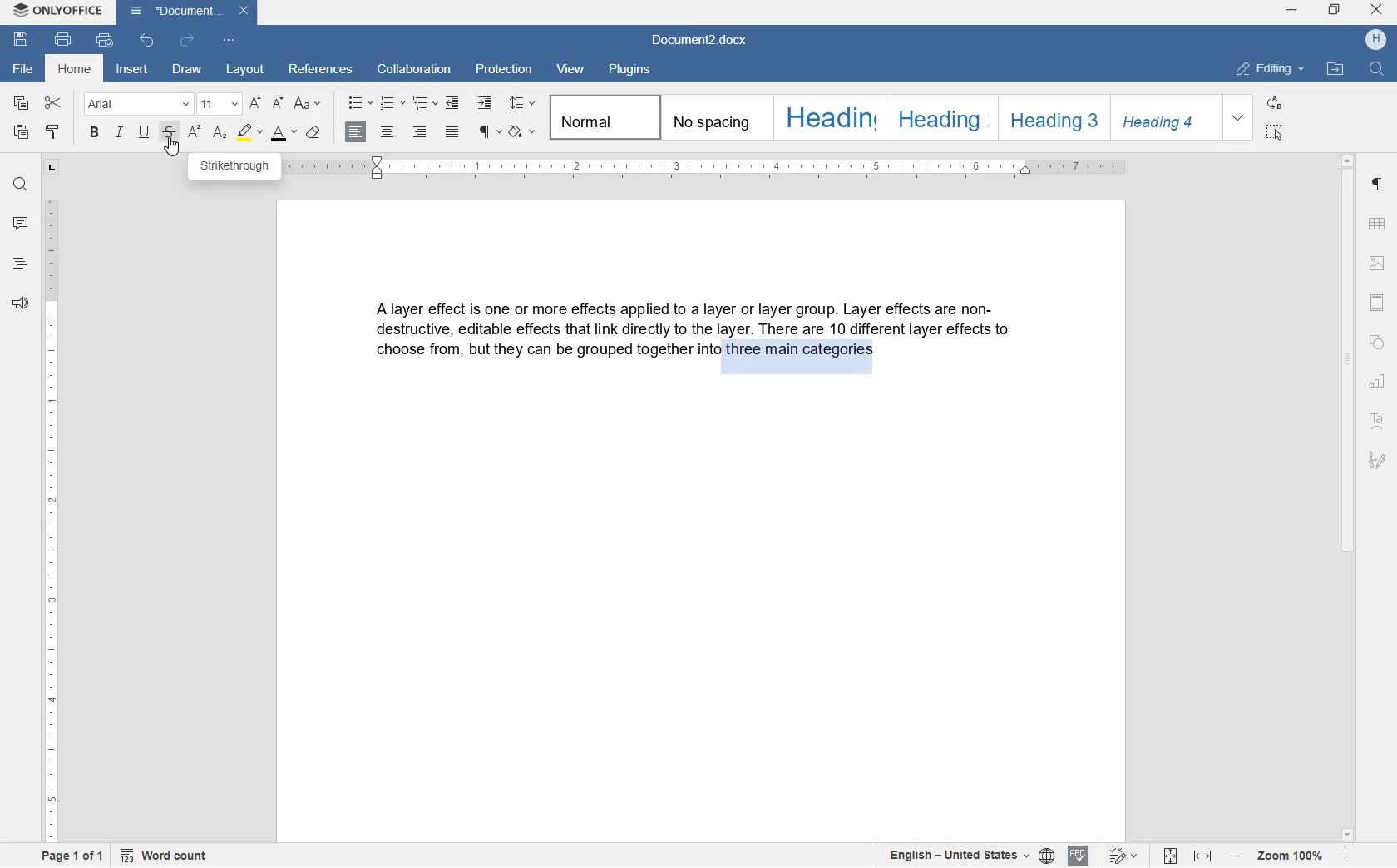 The width and height of the screenshot is (1397, 868). What do you see at coordinates (1380, 343) in the screenshot?
I see `shape` at bounding box center [1380, 343].